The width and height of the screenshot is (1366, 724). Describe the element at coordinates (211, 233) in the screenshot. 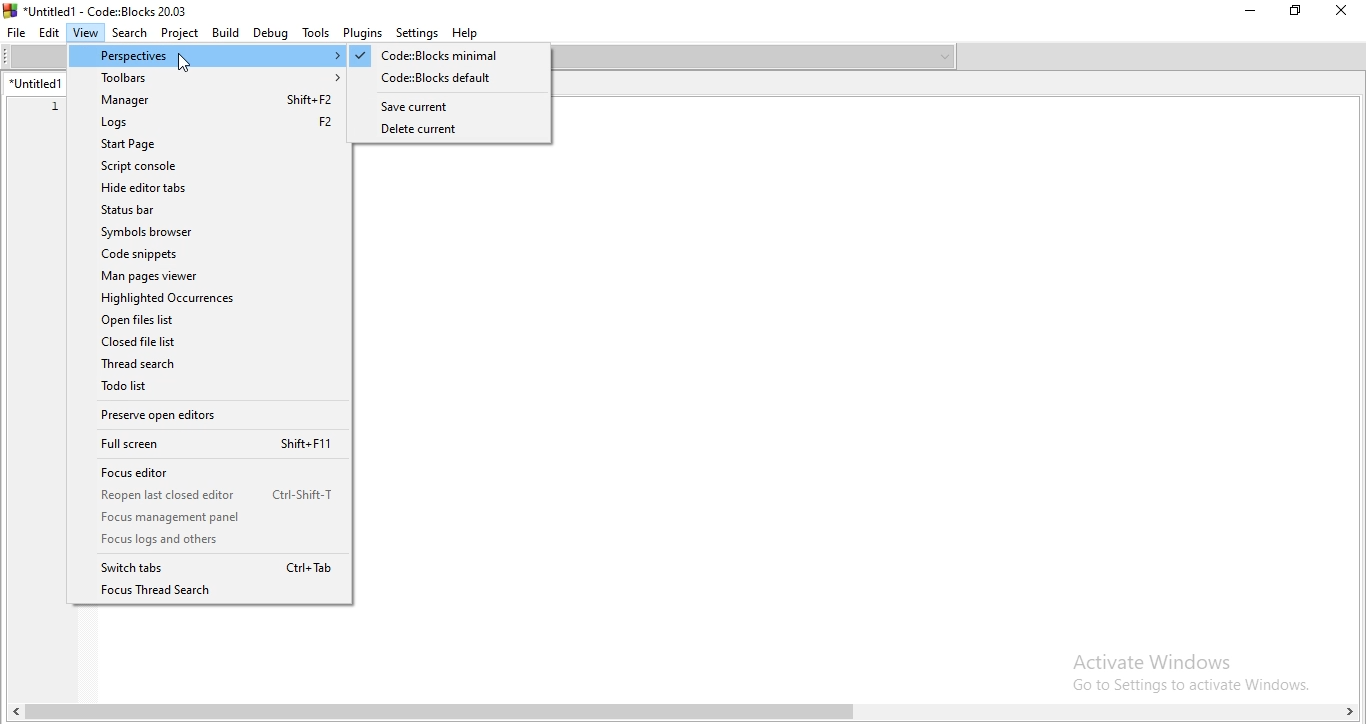

I see `Symbols browser` at that location.